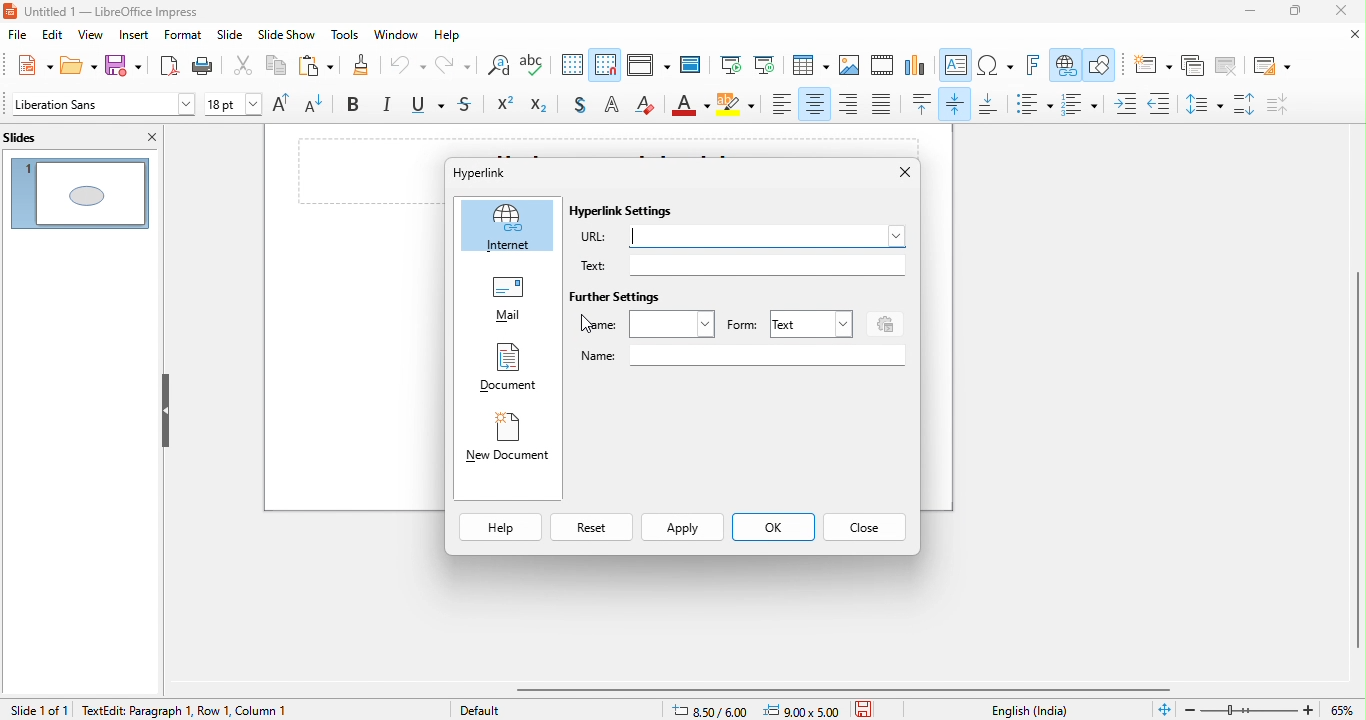  What do you see at coordinates (538, 67) in the screenshot?
I see `spelling` at bounding box center [538, 67].